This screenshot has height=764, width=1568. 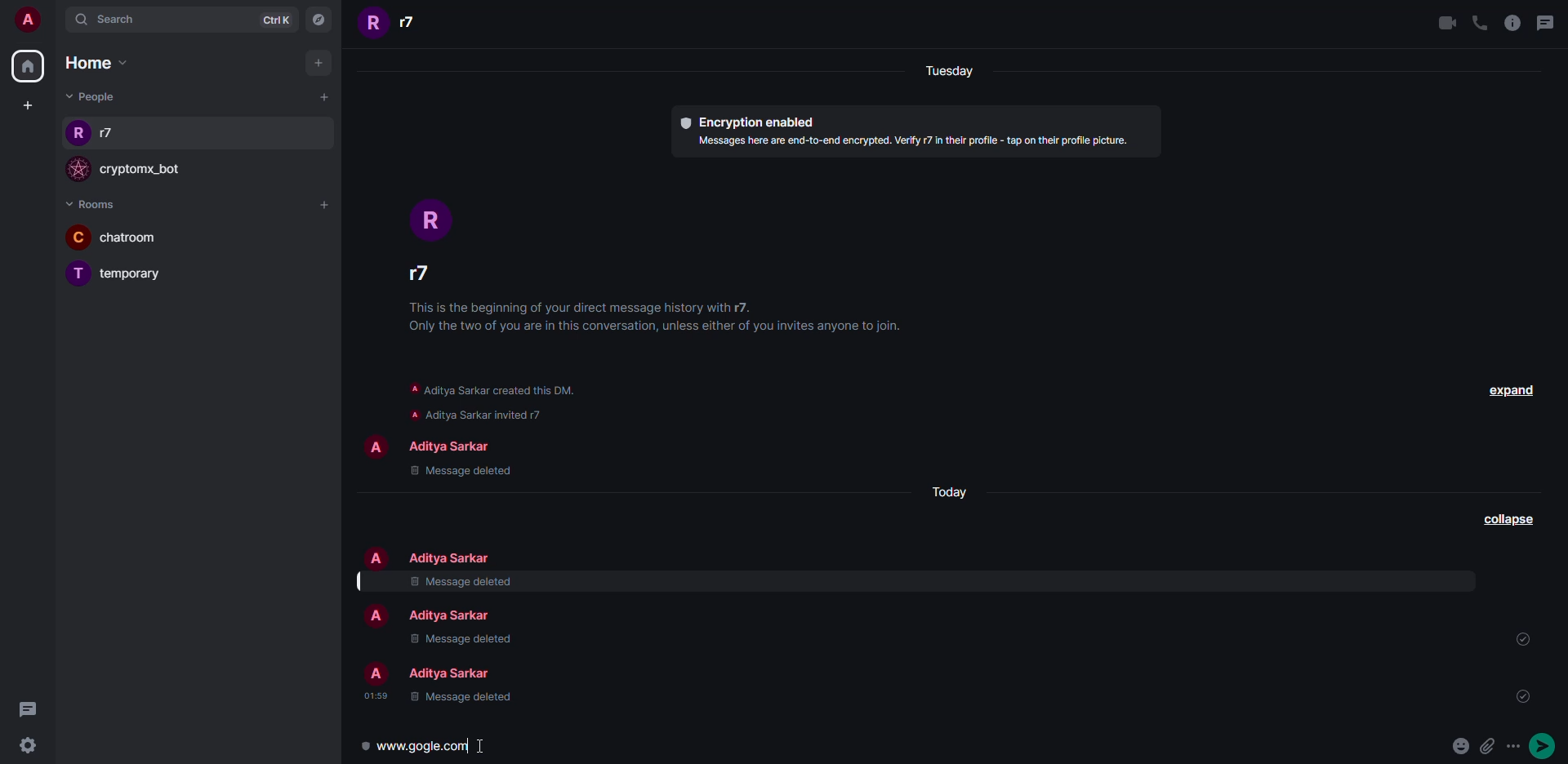 What do you see at coordinates (952, 488) in the screenshot?
I see `day` at bounding box center [952, 488].